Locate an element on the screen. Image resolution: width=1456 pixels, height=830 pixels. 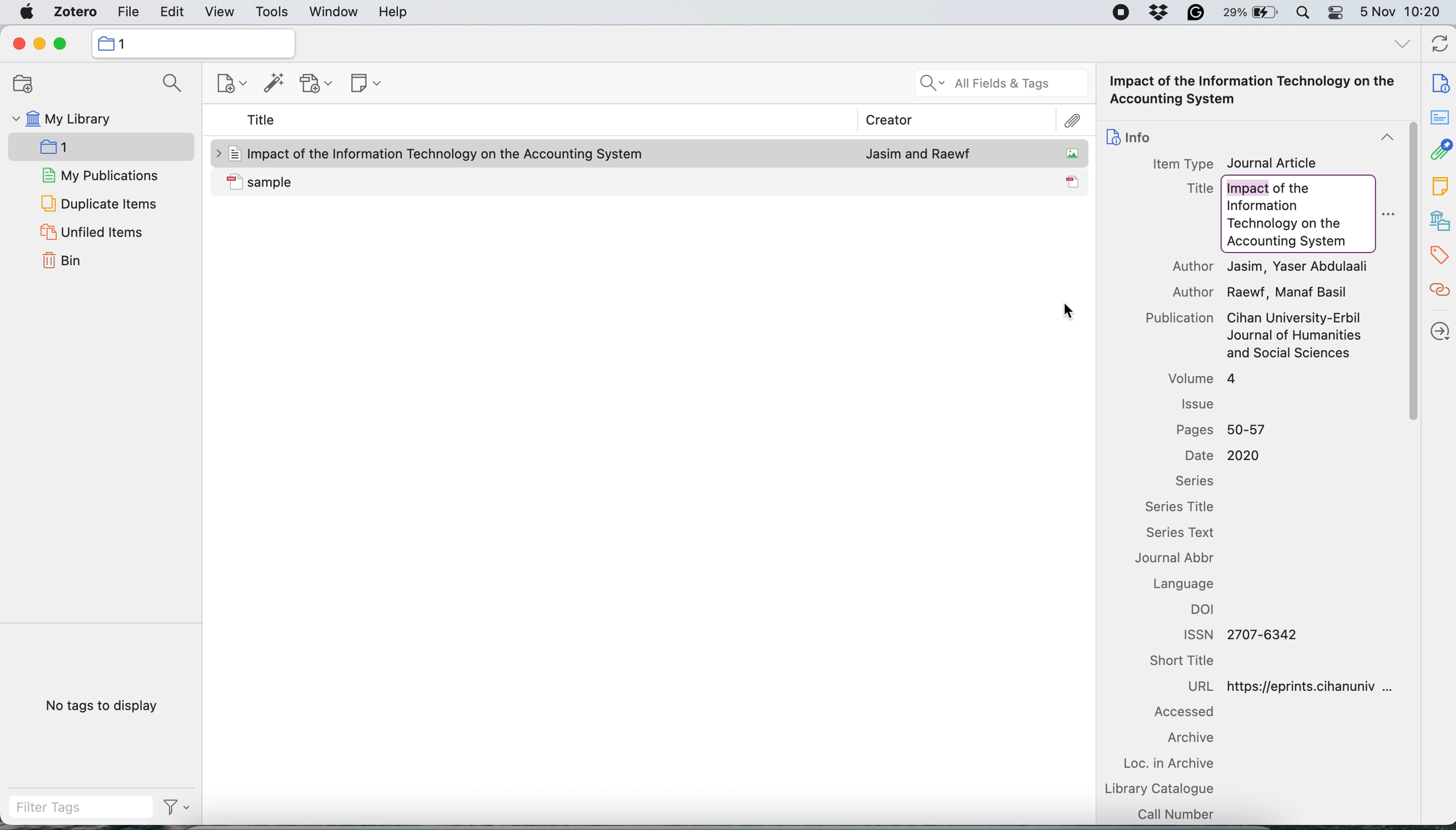
short title is located at coordinates (1185, 661).